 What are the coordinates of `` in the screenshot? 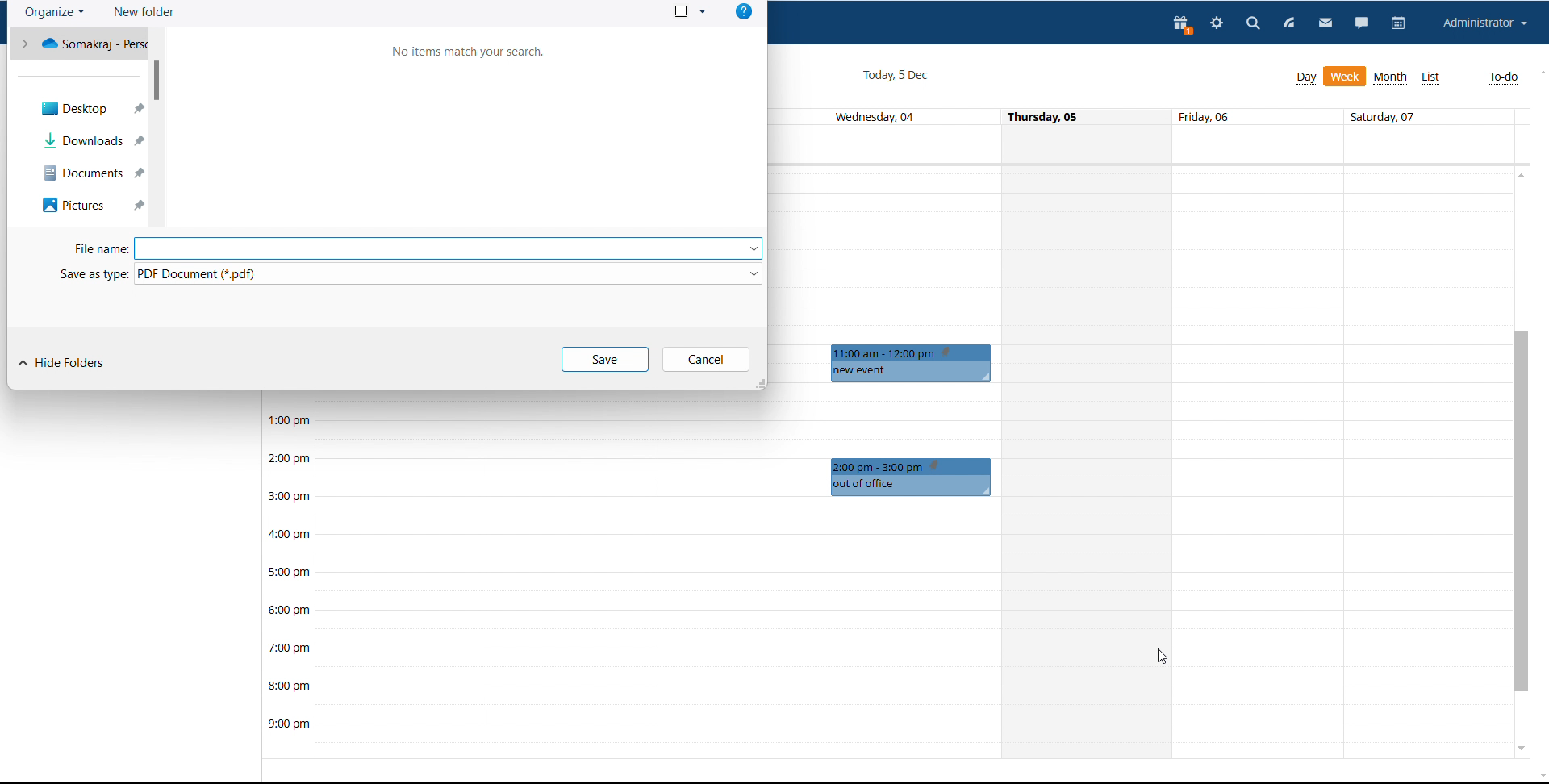 It's located at (86, 110).